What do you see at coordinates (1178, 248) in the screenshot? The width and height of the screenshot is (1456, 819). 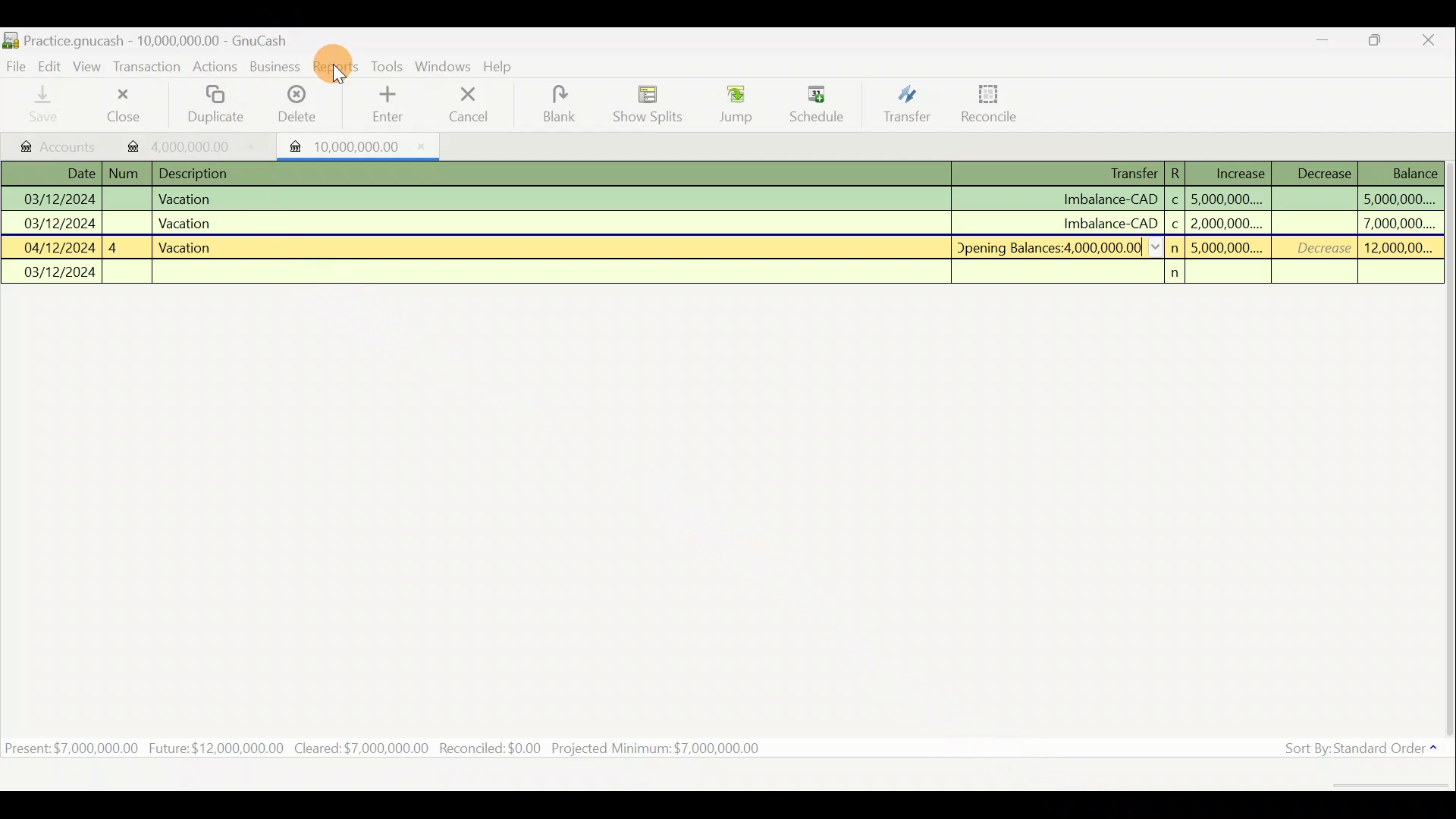 I see `n` at bounding box center [1178, 248].